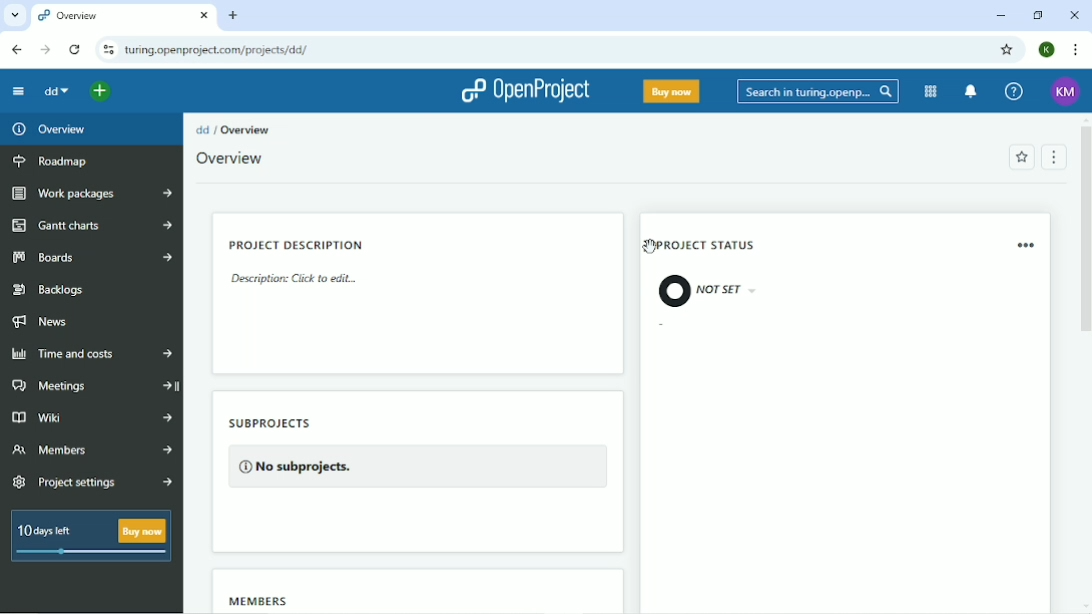  I want to click on OpenProject, so click(526, 92).